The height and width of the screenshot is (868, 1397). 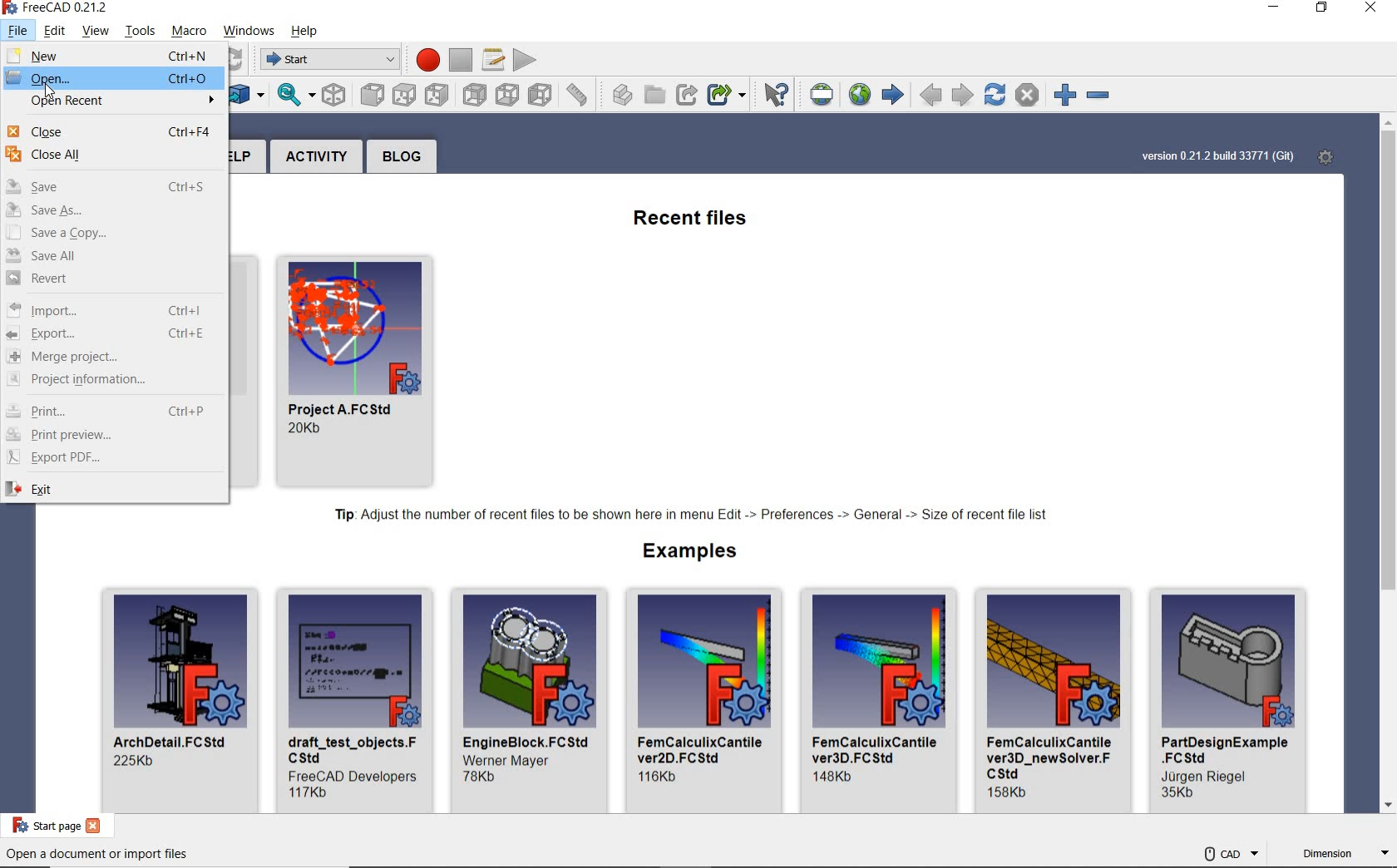 I want to click on TIP, so click(x=695, y=515).